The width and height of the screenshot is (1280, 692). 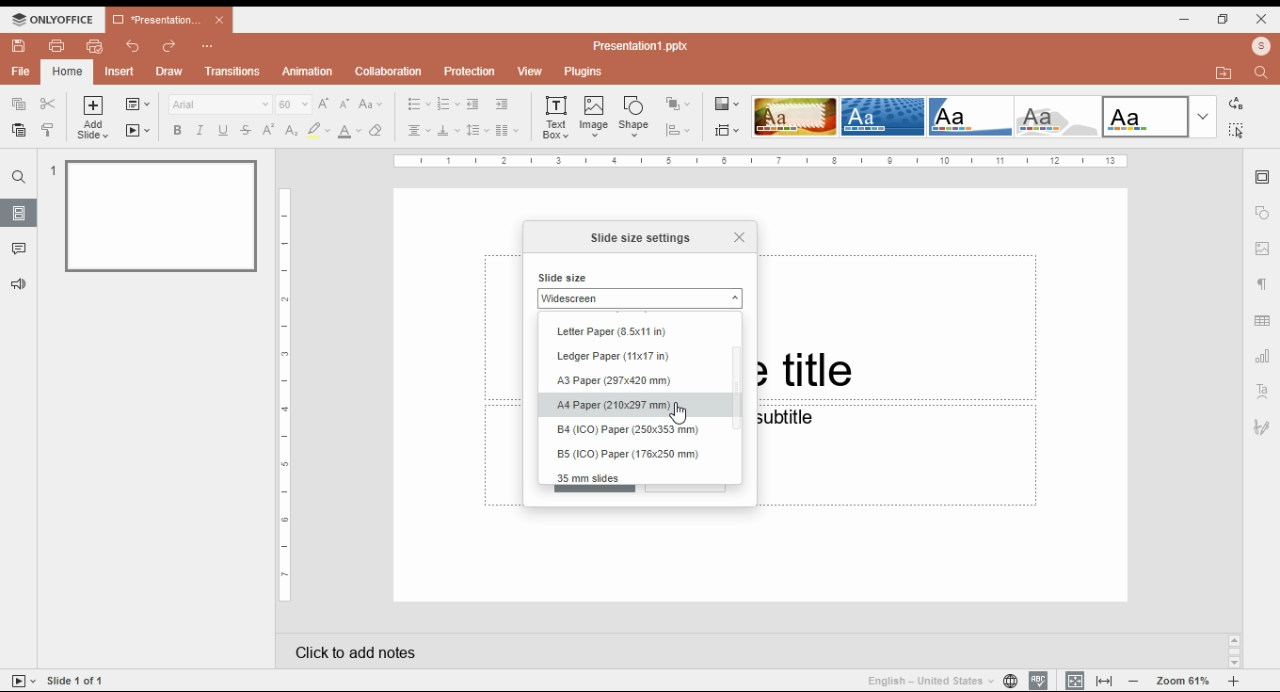 What do you see at coordinates (1263, 213) in the screenshot?
I see `shape settings` at bounding box center [1263, 213].